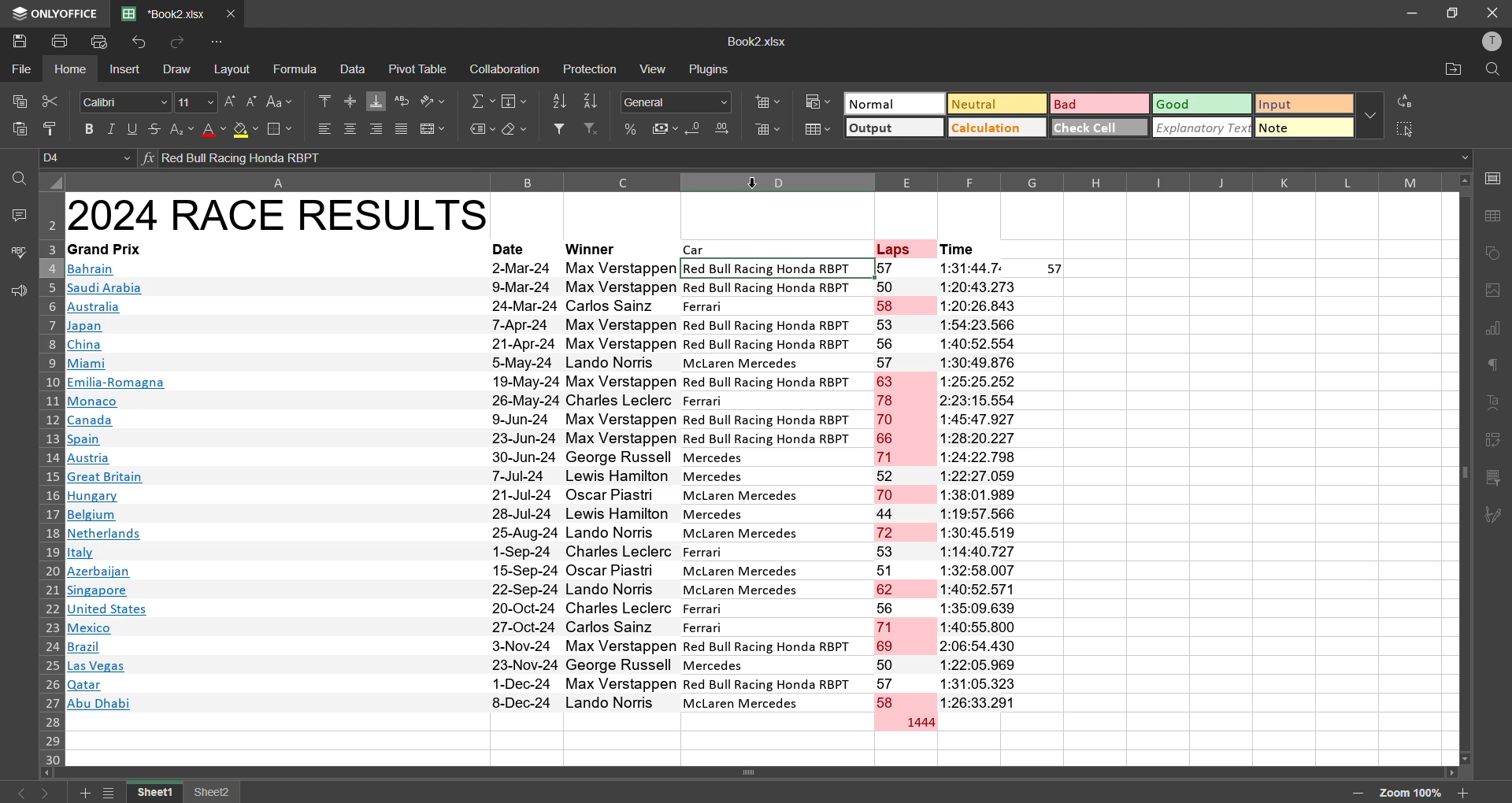 This screenshot has height=803, width=1512. Describe the element at coordinates (104, 249) in the screenshot. I see `grand prix` at that location.